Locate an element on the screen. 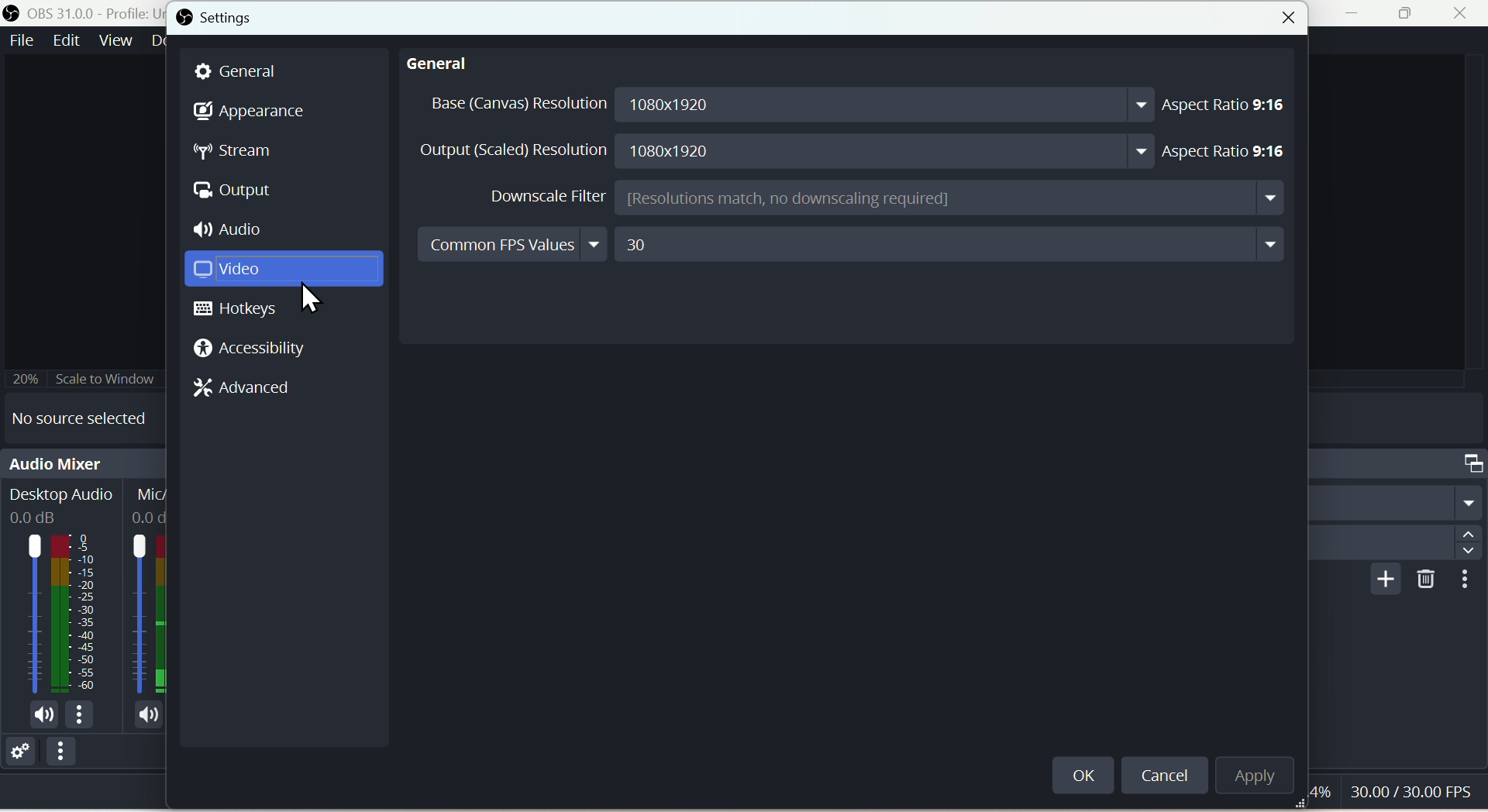  Hot keys is located at coordinates (245, 311).